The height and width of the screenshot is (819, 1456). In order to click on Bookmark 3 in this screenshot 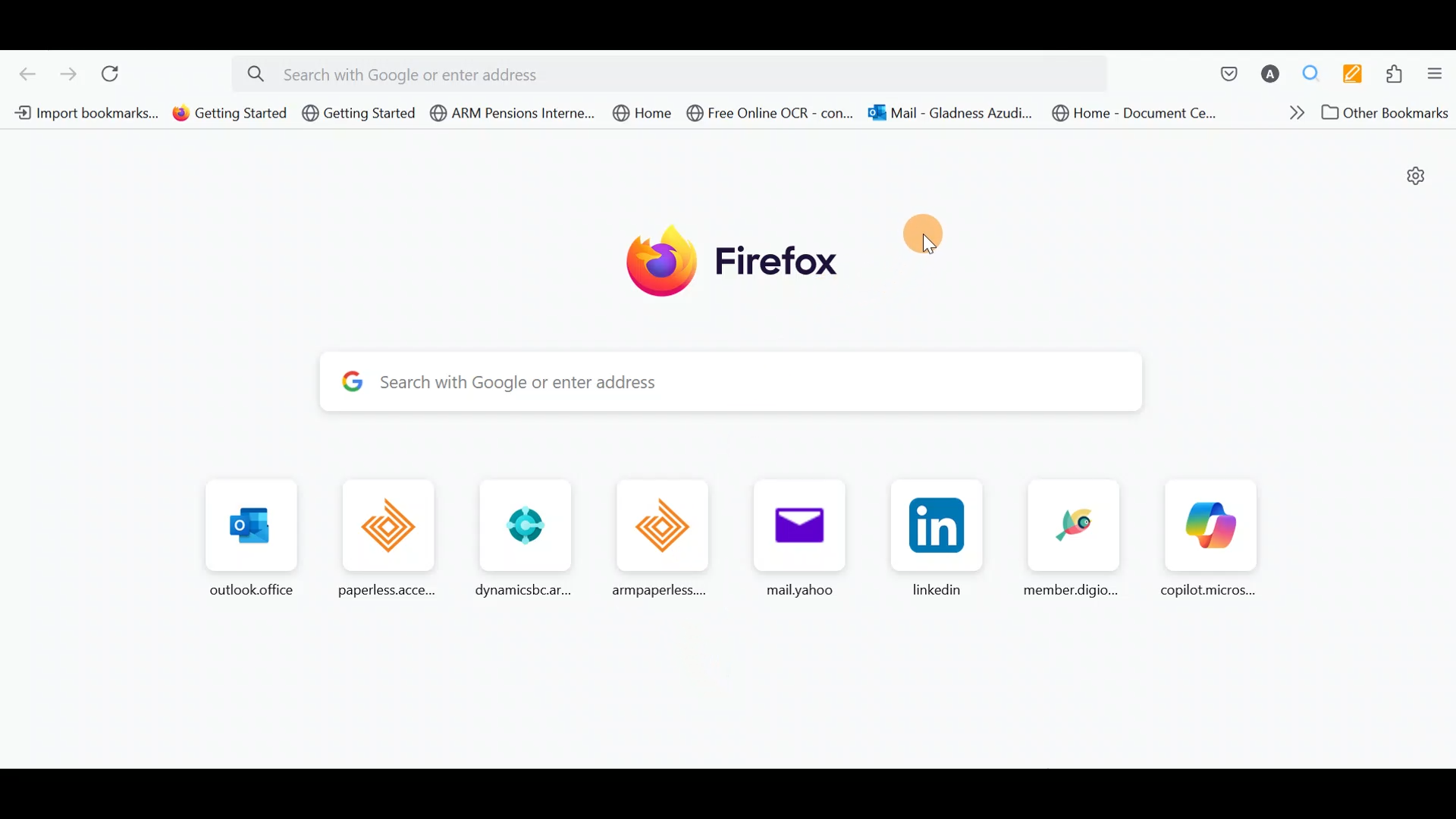, I will do `click(359, 113)`.